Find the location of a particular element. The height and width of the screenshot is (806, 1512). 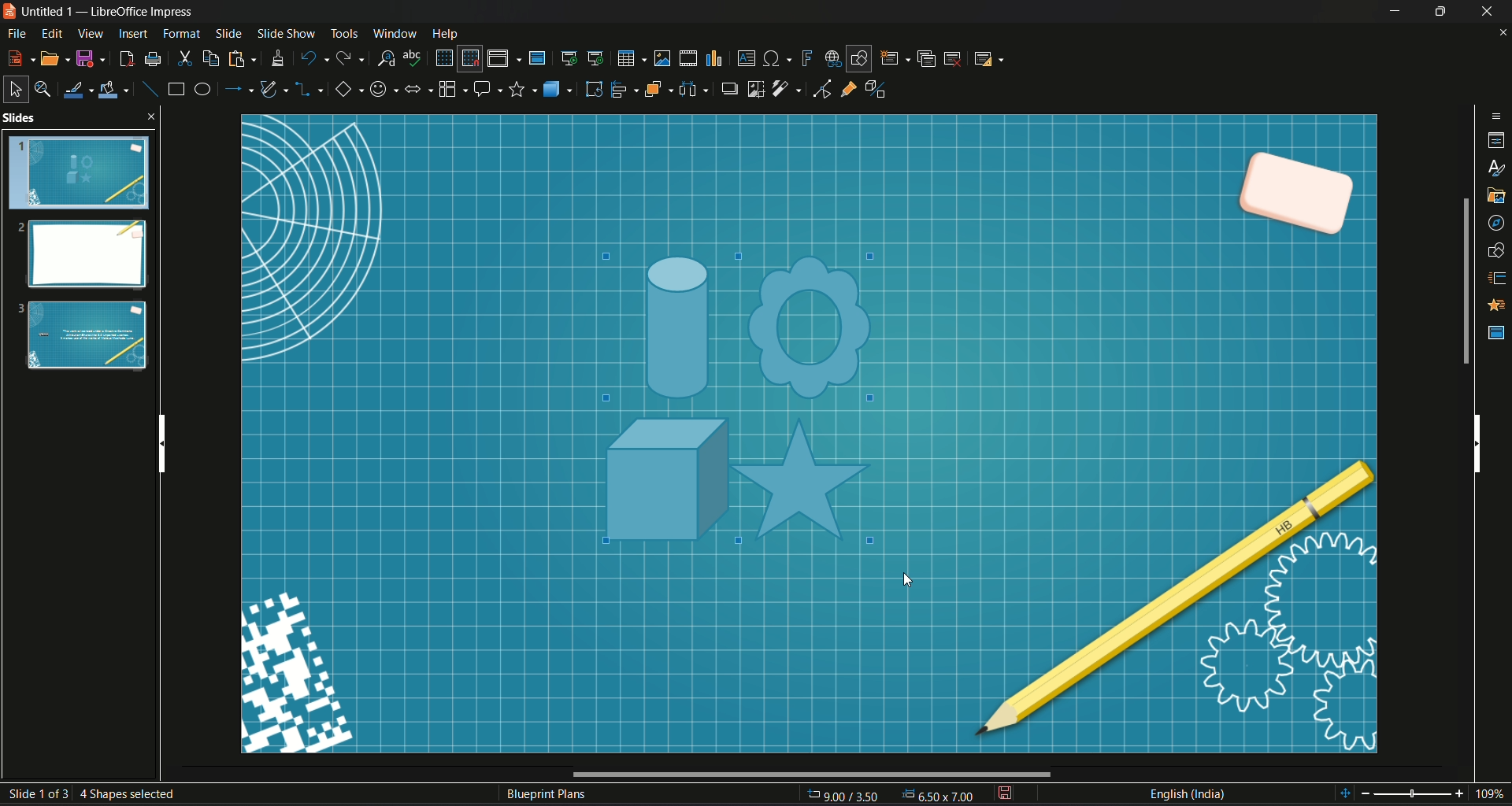

open is located at coordinates (56, 58).